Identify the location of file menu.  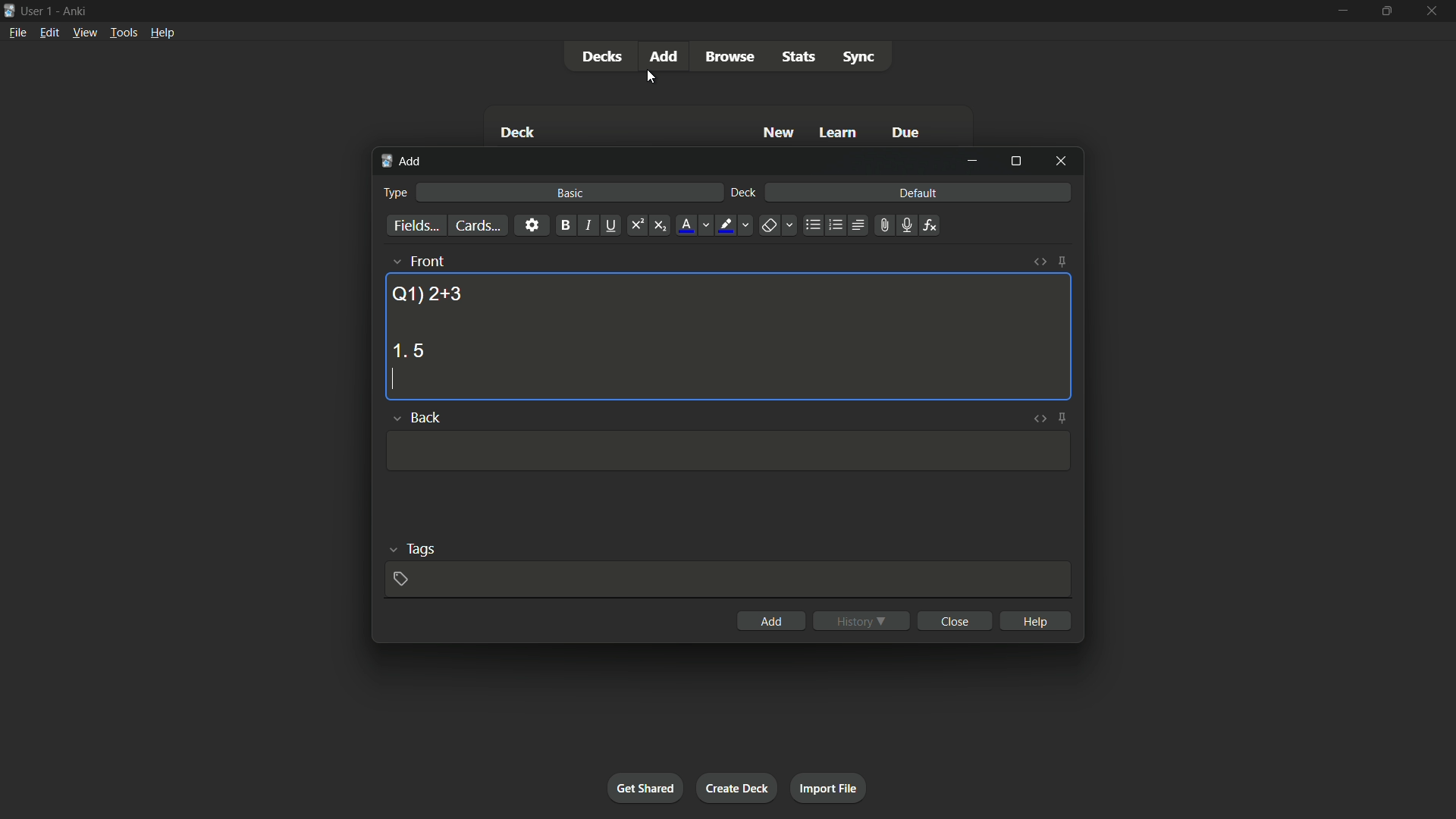
(19, 32).